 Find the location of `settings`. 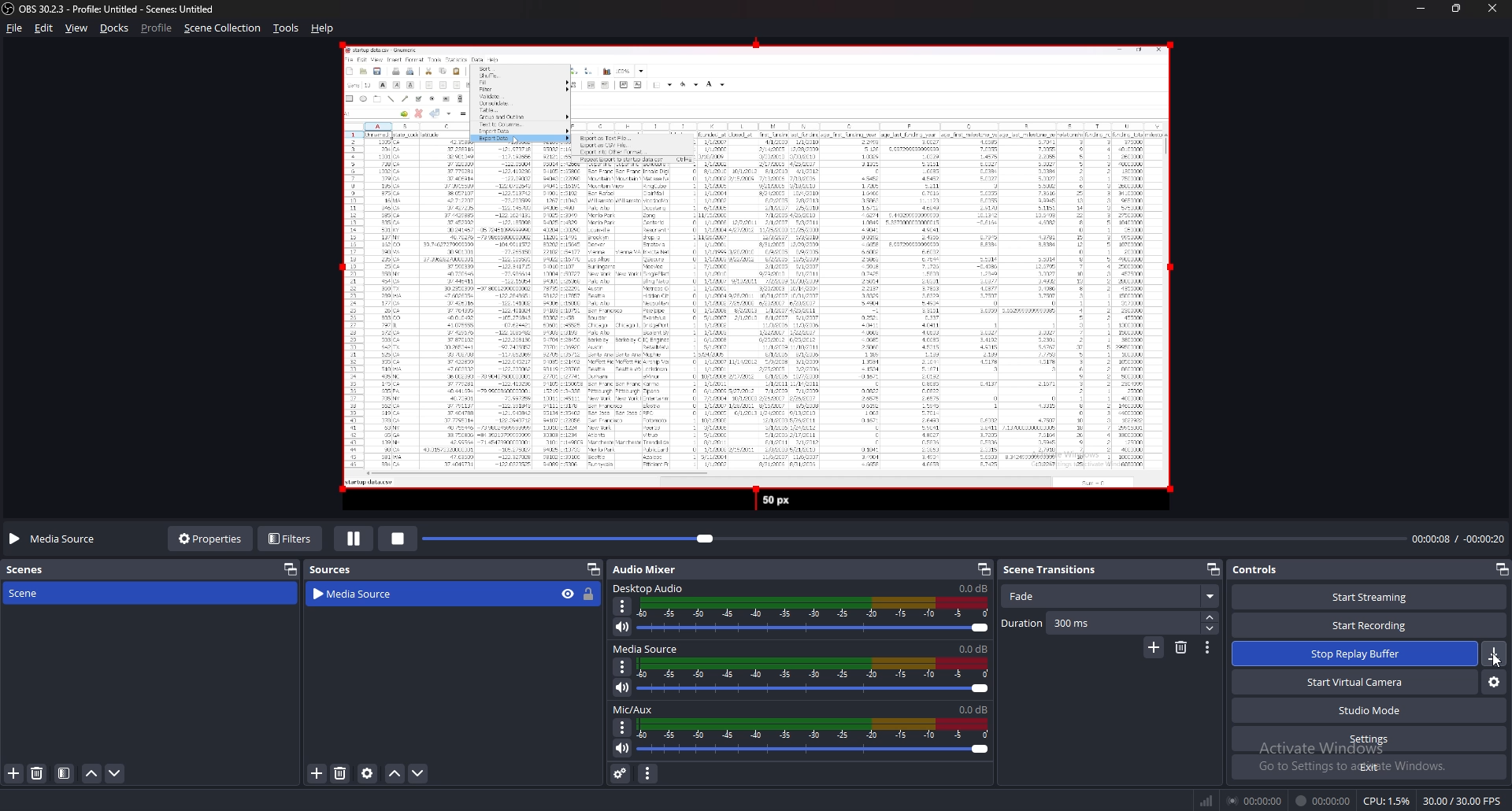

settings is located at coordinates (1369, 739).